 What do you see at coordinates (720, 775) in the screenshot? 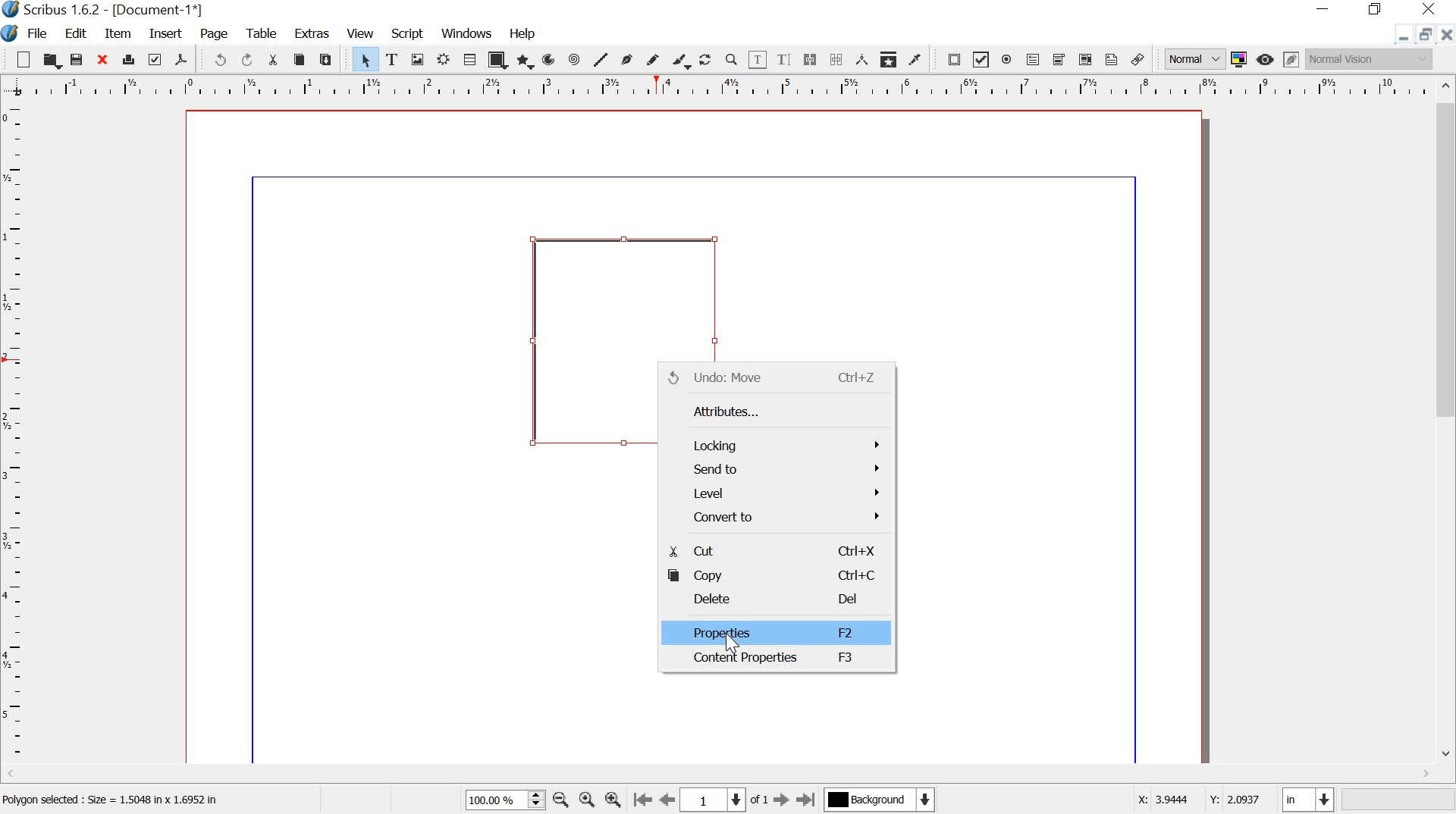
I see `scrollbar` at bounding box center [720, 775].